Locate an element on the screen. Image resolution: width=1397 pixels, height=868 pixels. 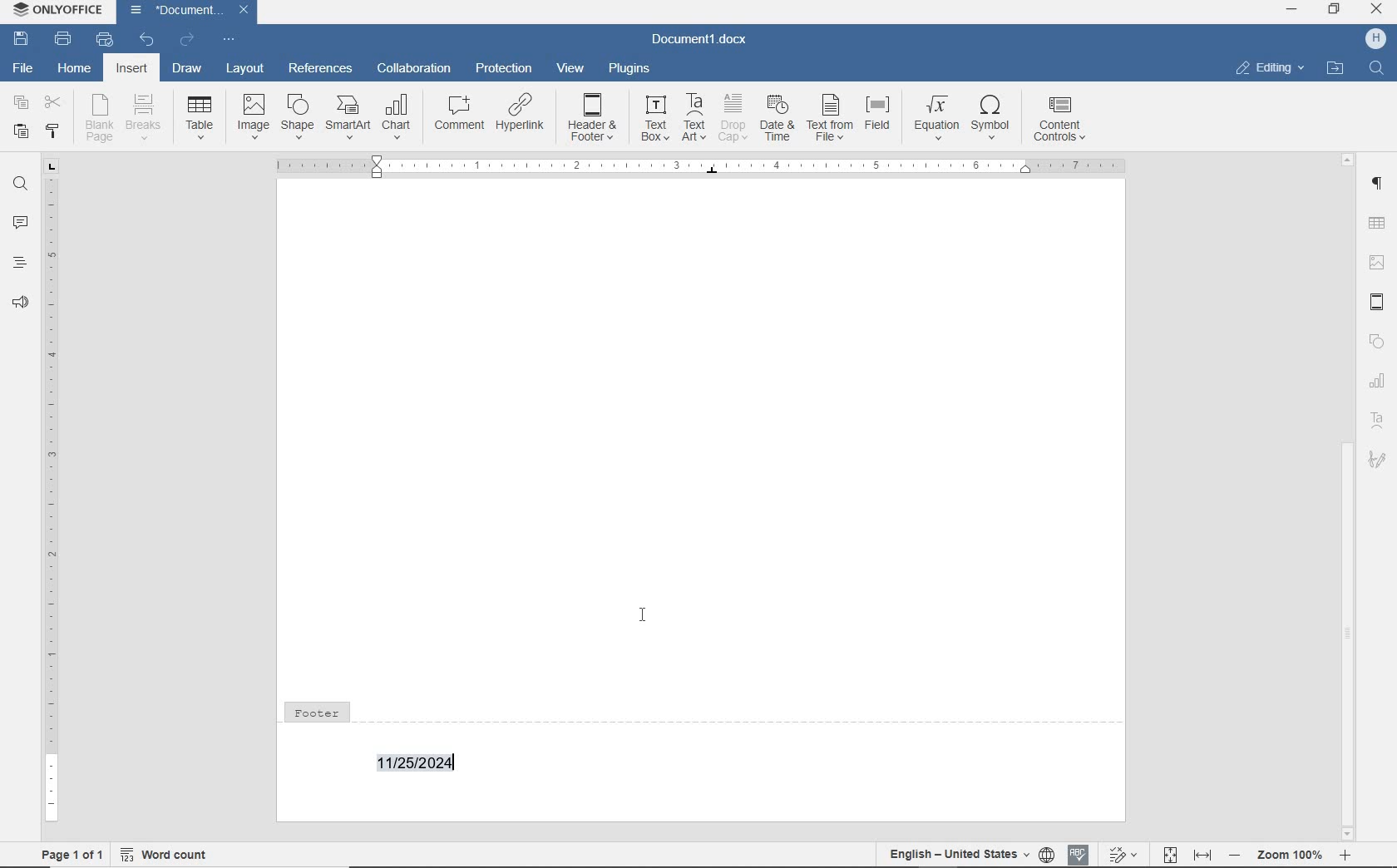
print file is located at coordinates (65, 38).